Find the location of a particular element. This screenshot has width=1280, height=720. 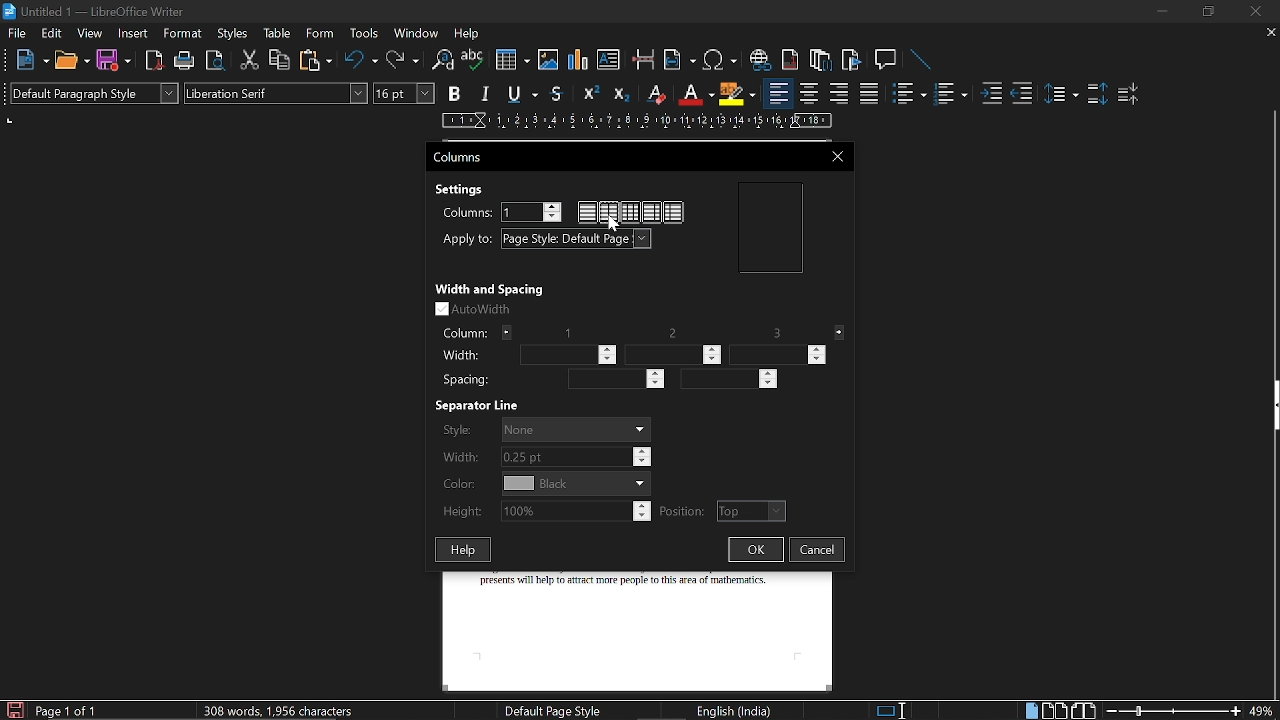

Columns is located at coordinates (464, 156).